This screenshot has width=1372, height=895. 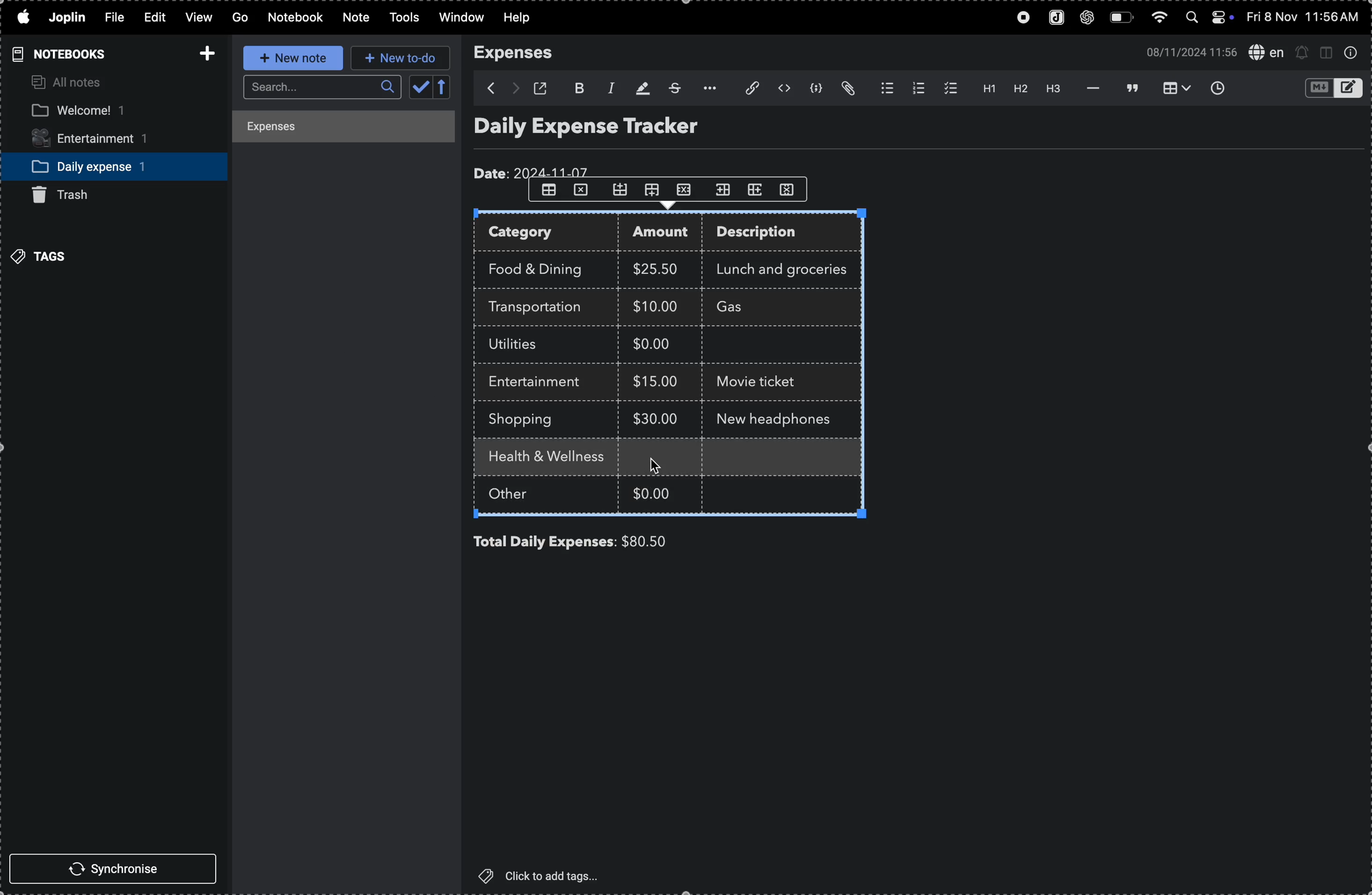 What do you see at coordinates (545, 542) in the screenshot?
I see `total daily expenses` at bounding box center [545, 542].